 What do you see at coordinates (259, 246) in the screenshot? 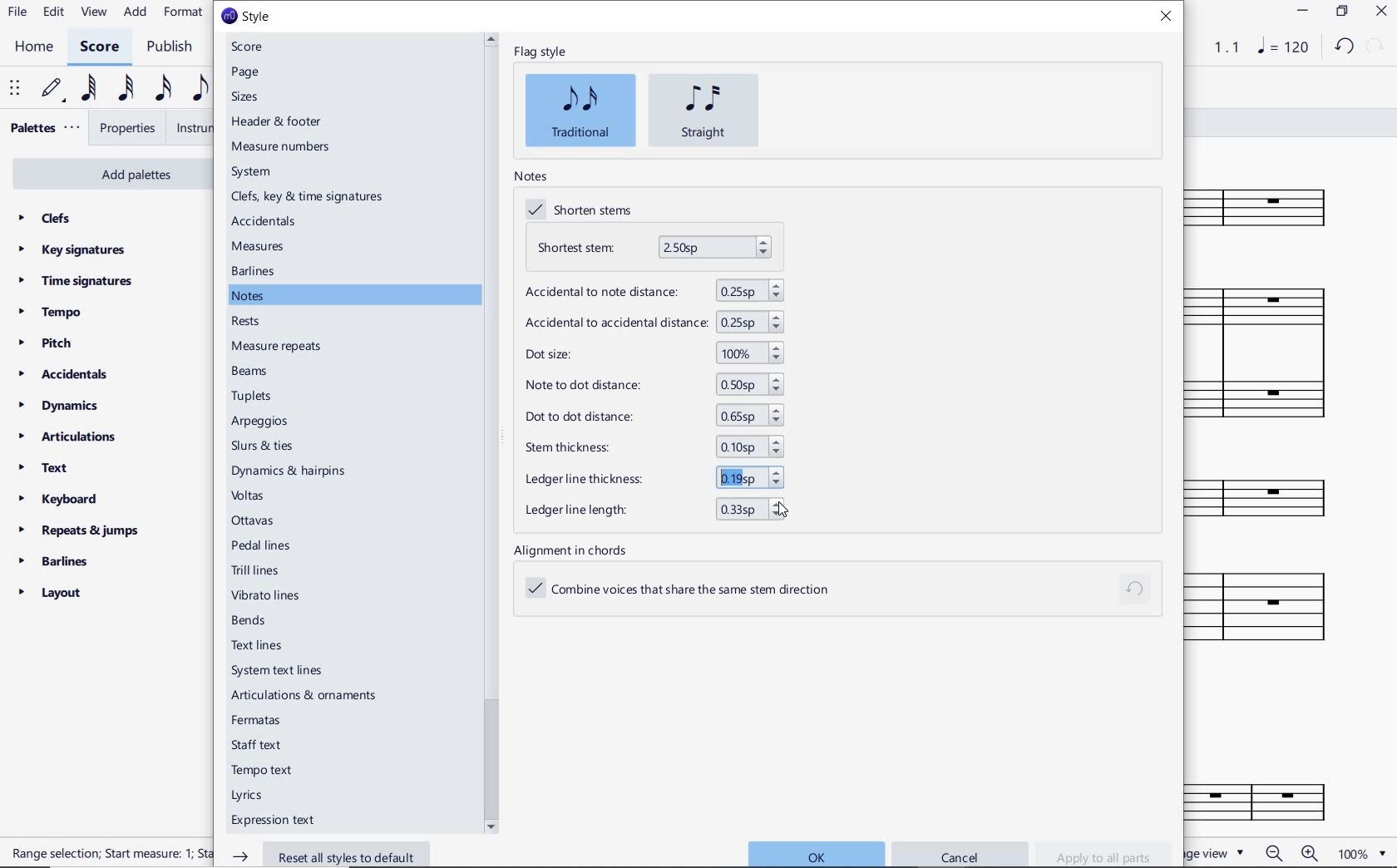
I see `measures` at bounding box center [259, 246].